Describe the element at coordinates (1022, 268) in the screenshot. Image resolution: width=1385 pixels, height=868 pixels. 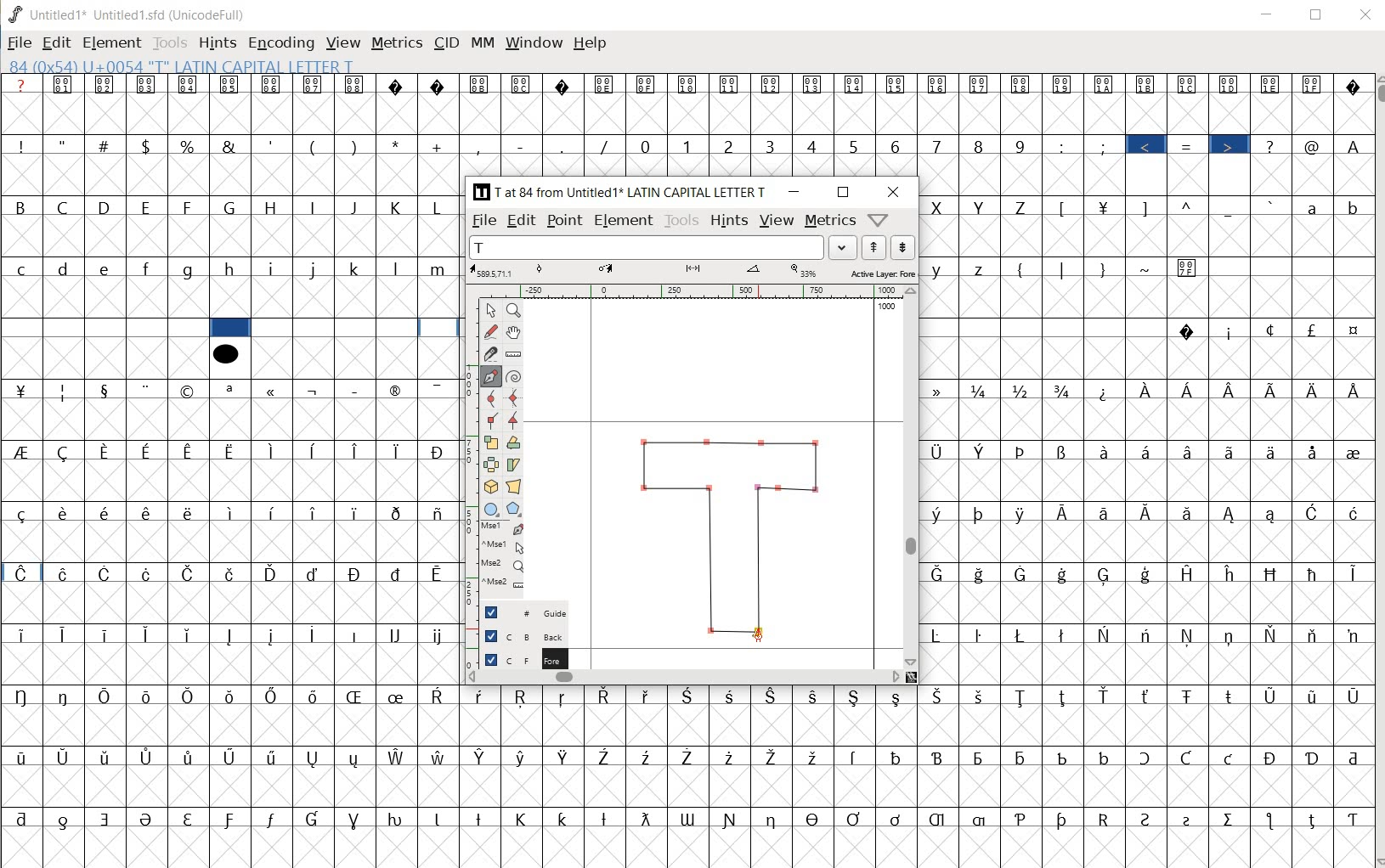
I see `(` at that location.